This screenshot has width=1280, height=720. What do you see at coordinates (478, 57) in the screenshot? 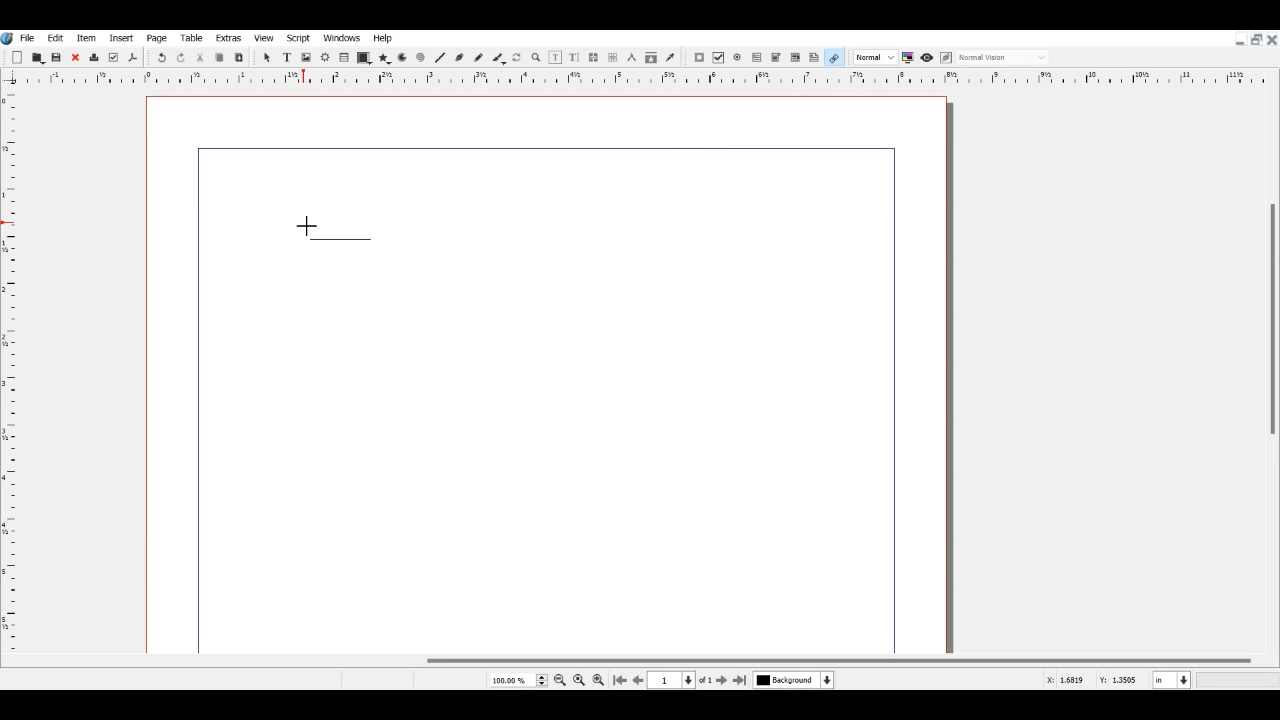
I see `Freehand line` at bounding box center [478, 57].